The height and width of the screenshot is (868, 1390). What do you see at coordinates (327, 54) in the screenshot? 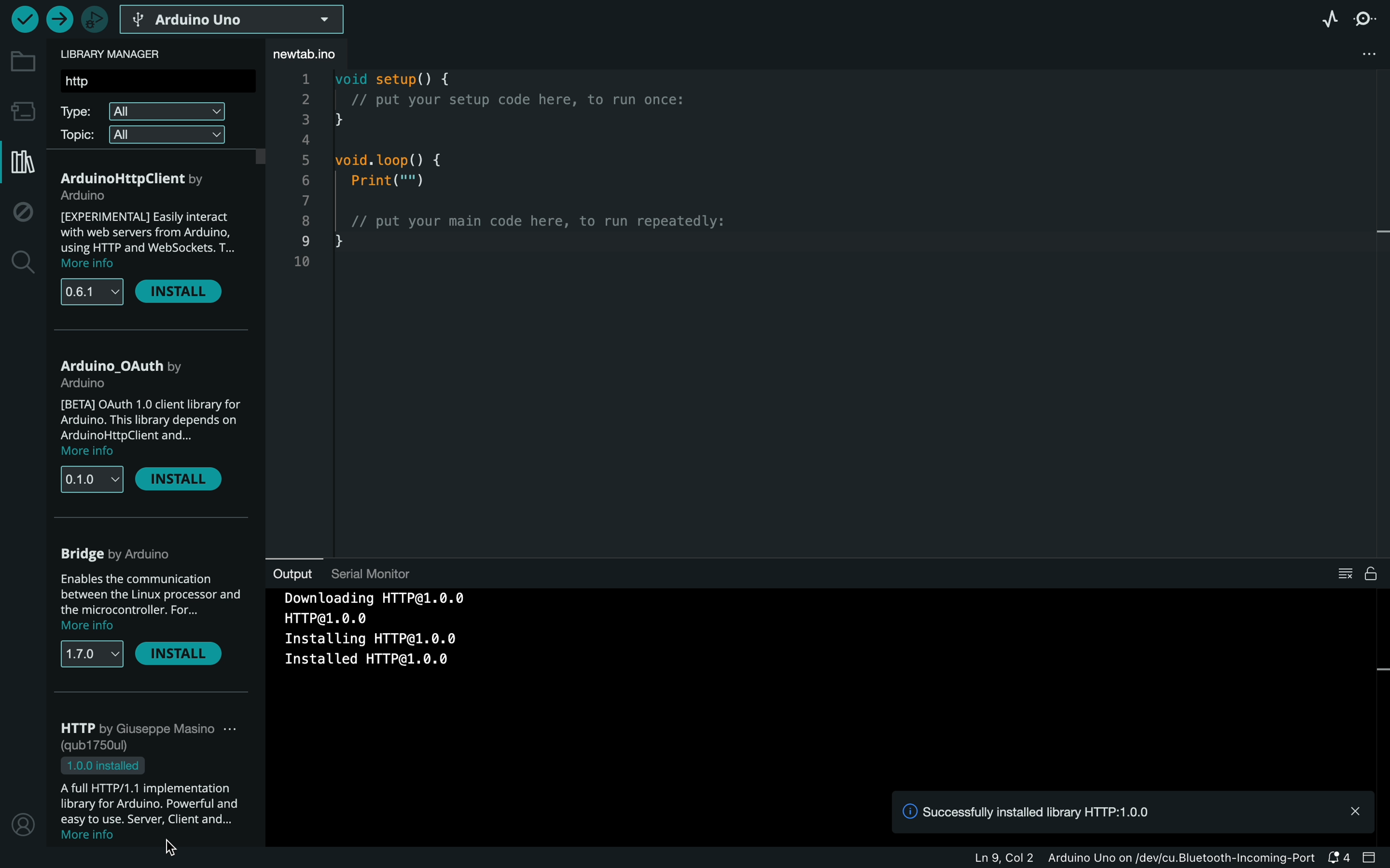
I see `file tab` at bounding box center [327, 54].